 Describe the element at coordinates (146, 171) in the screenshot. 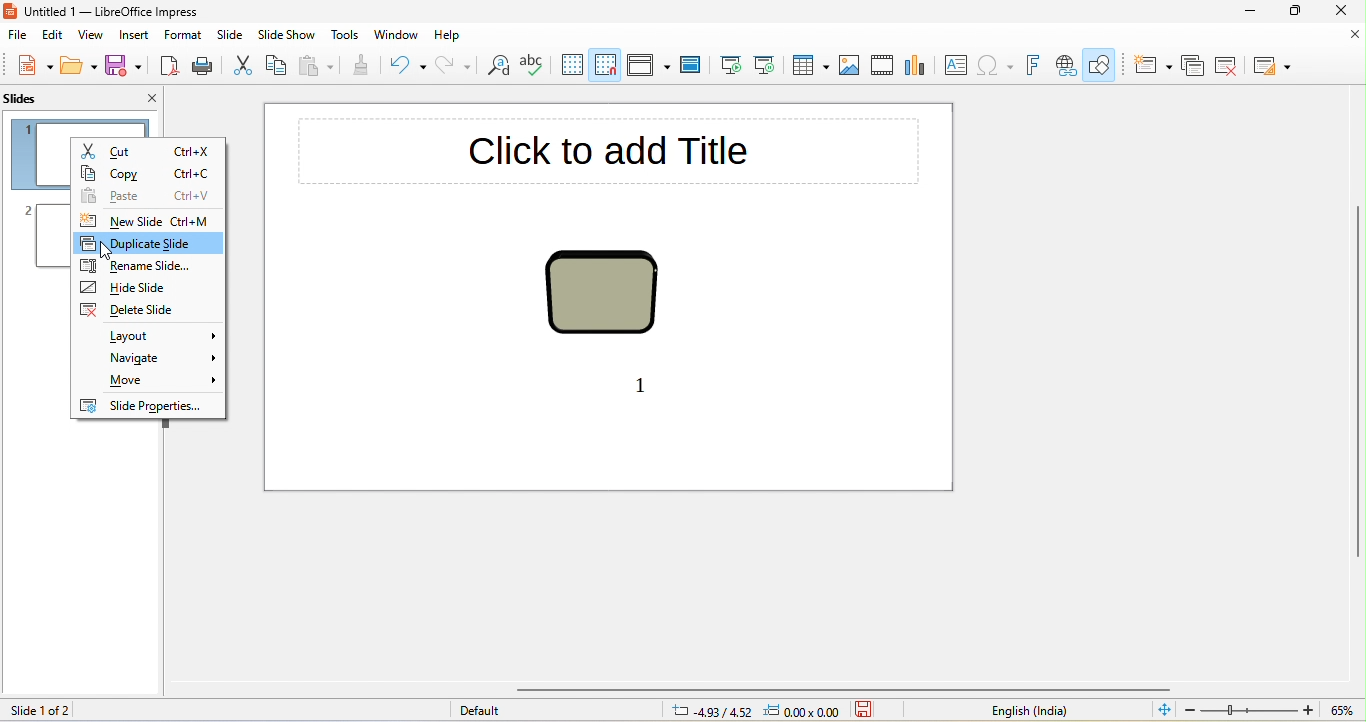

I see `copy` at that location.